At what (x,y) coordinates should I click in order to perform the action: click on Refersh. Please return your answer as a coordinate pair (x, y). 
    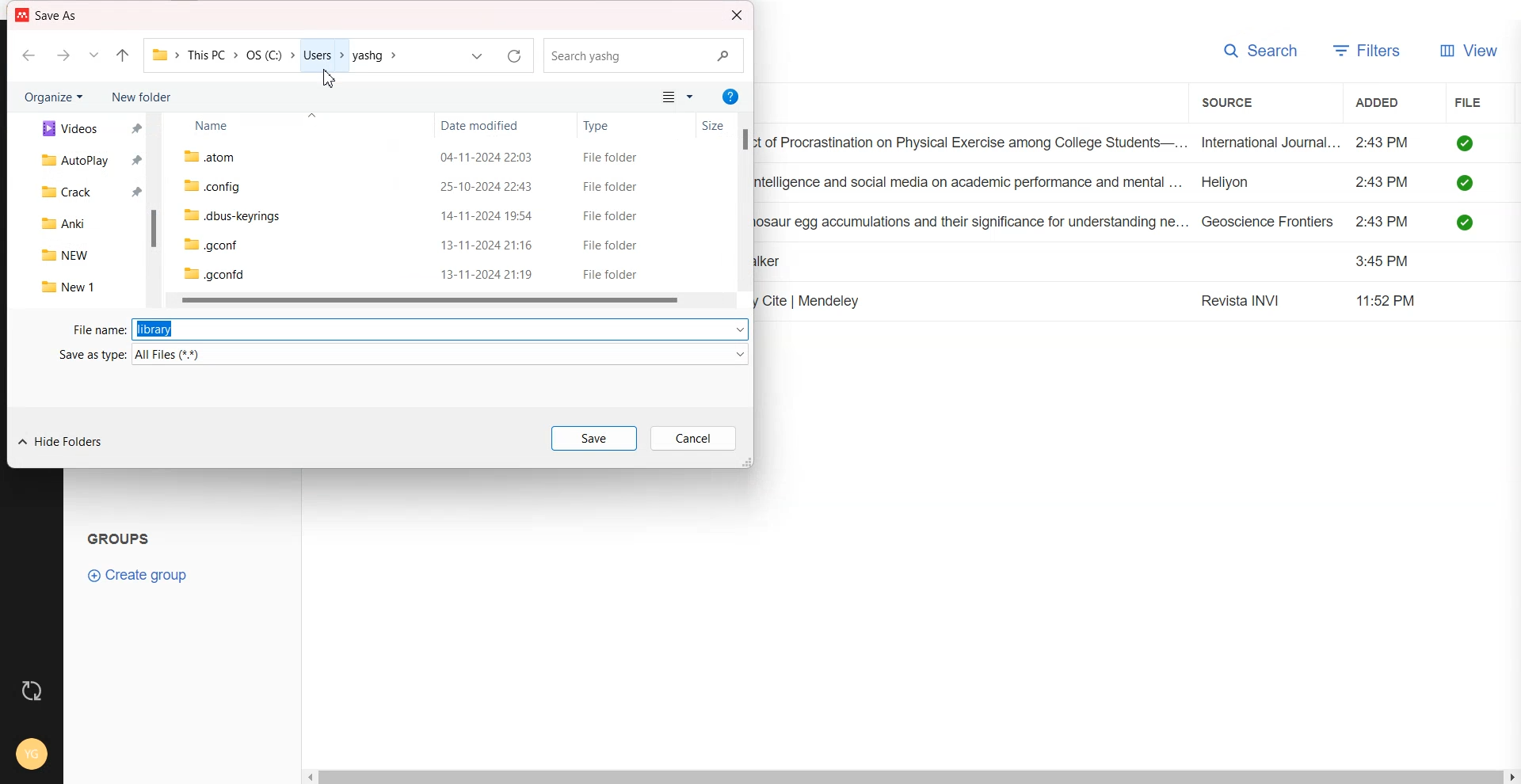
    Looking at the image, I should click on (514, 55).